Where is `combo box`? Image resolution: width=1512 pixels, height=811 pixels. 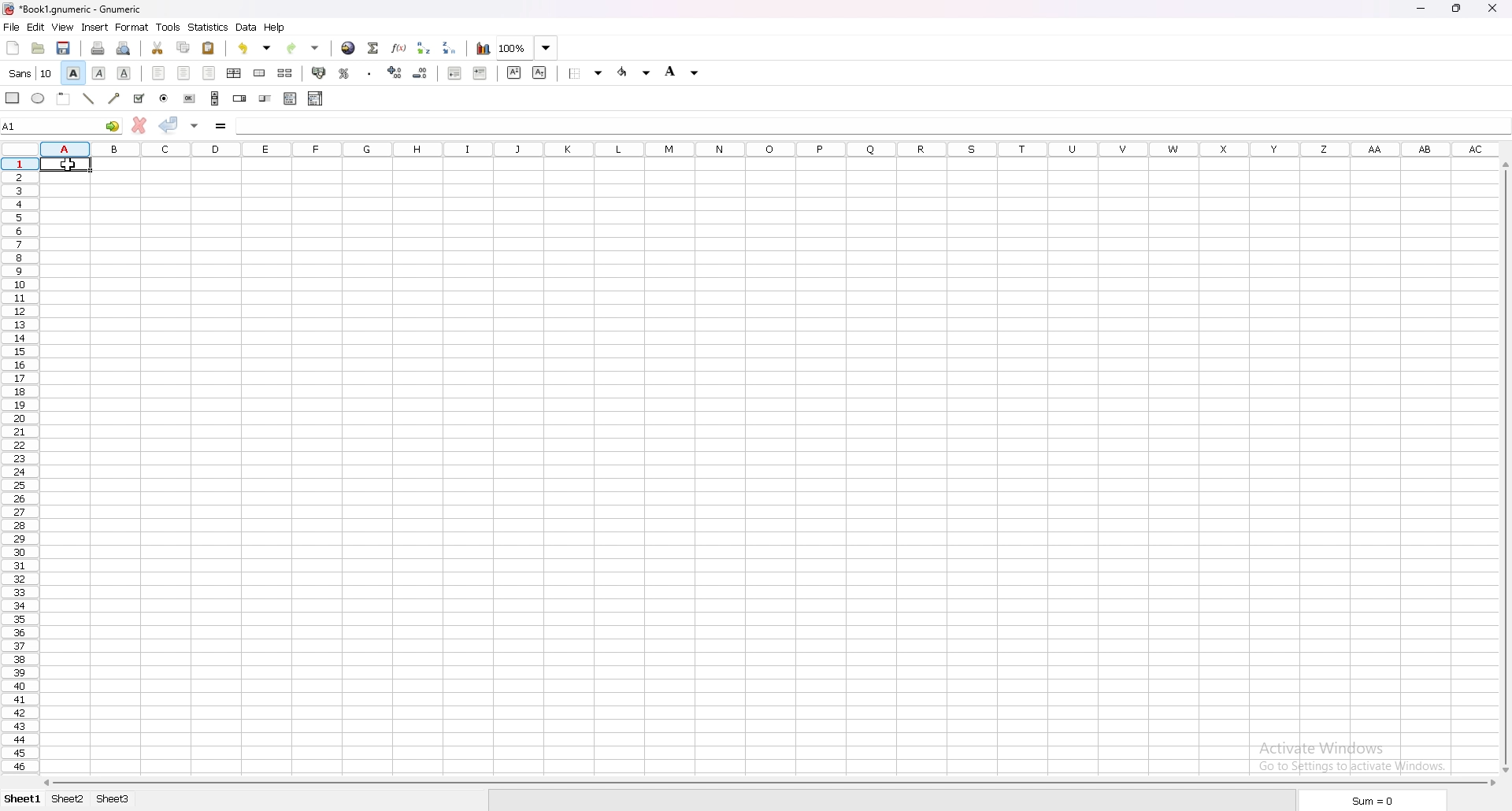
combo box is located at coordinates (315, 99).